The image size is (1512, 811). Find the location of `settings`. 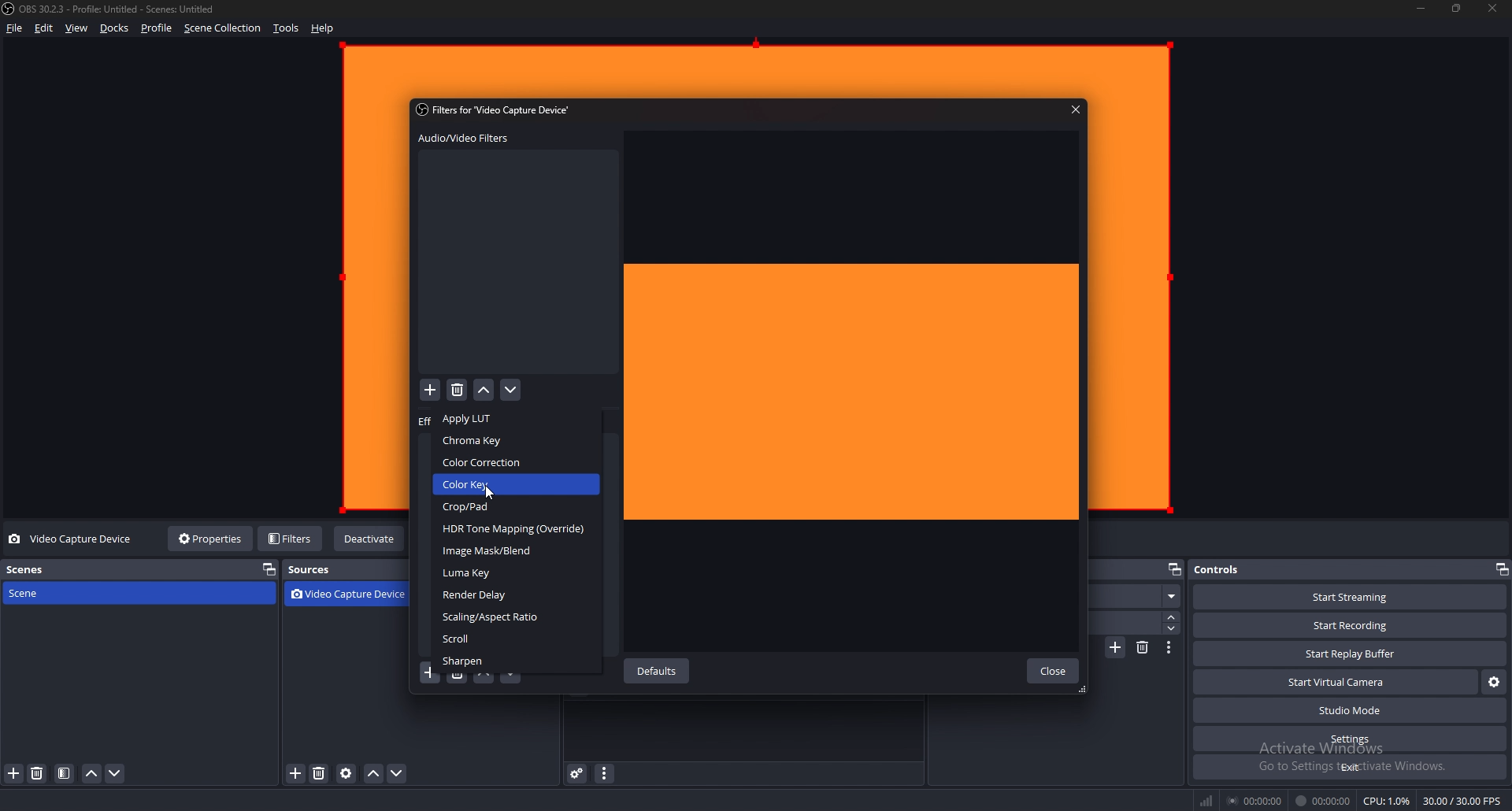

settings is located at coordinates (1350, 739).